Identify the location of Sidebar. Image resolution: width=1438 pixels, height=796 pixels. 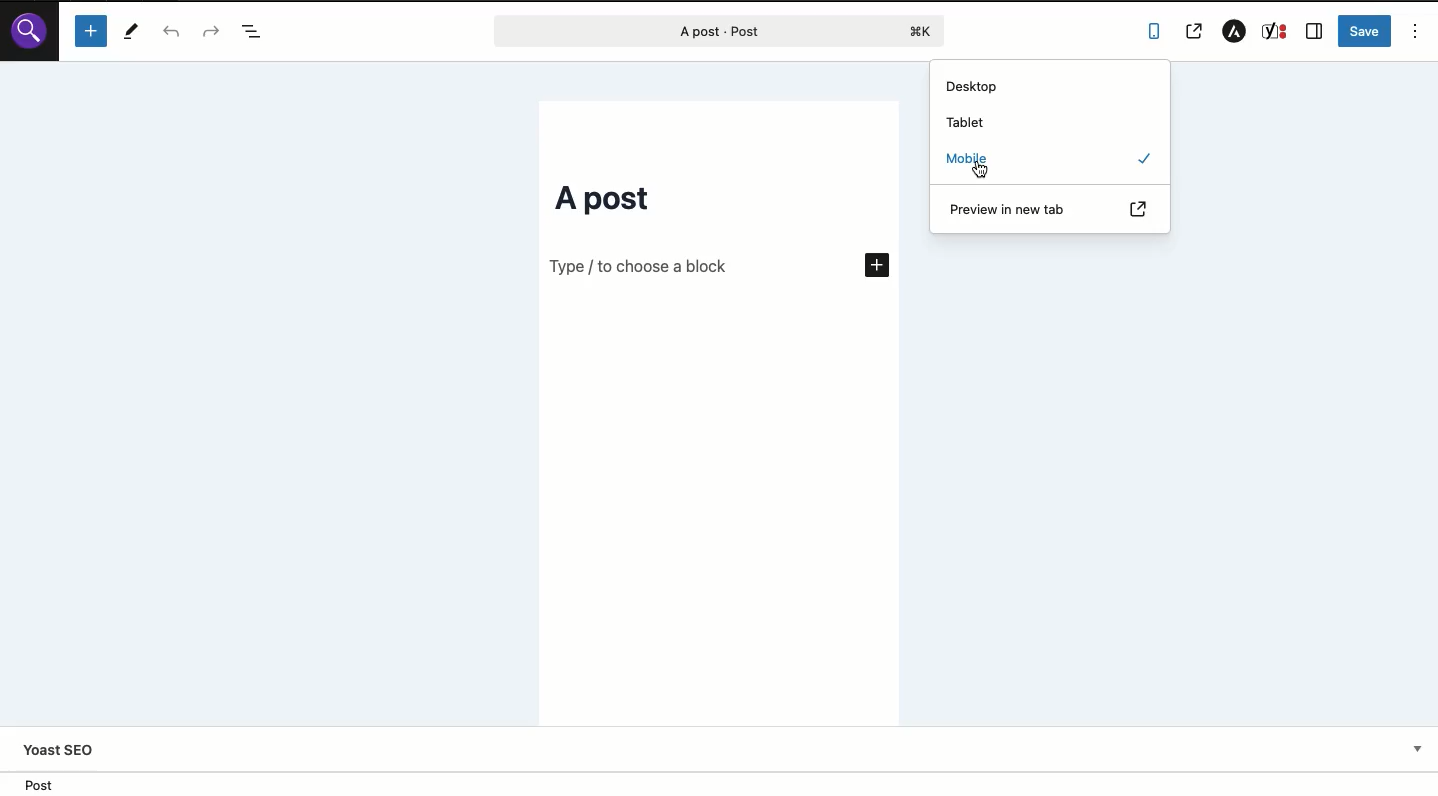
(1314, 32).